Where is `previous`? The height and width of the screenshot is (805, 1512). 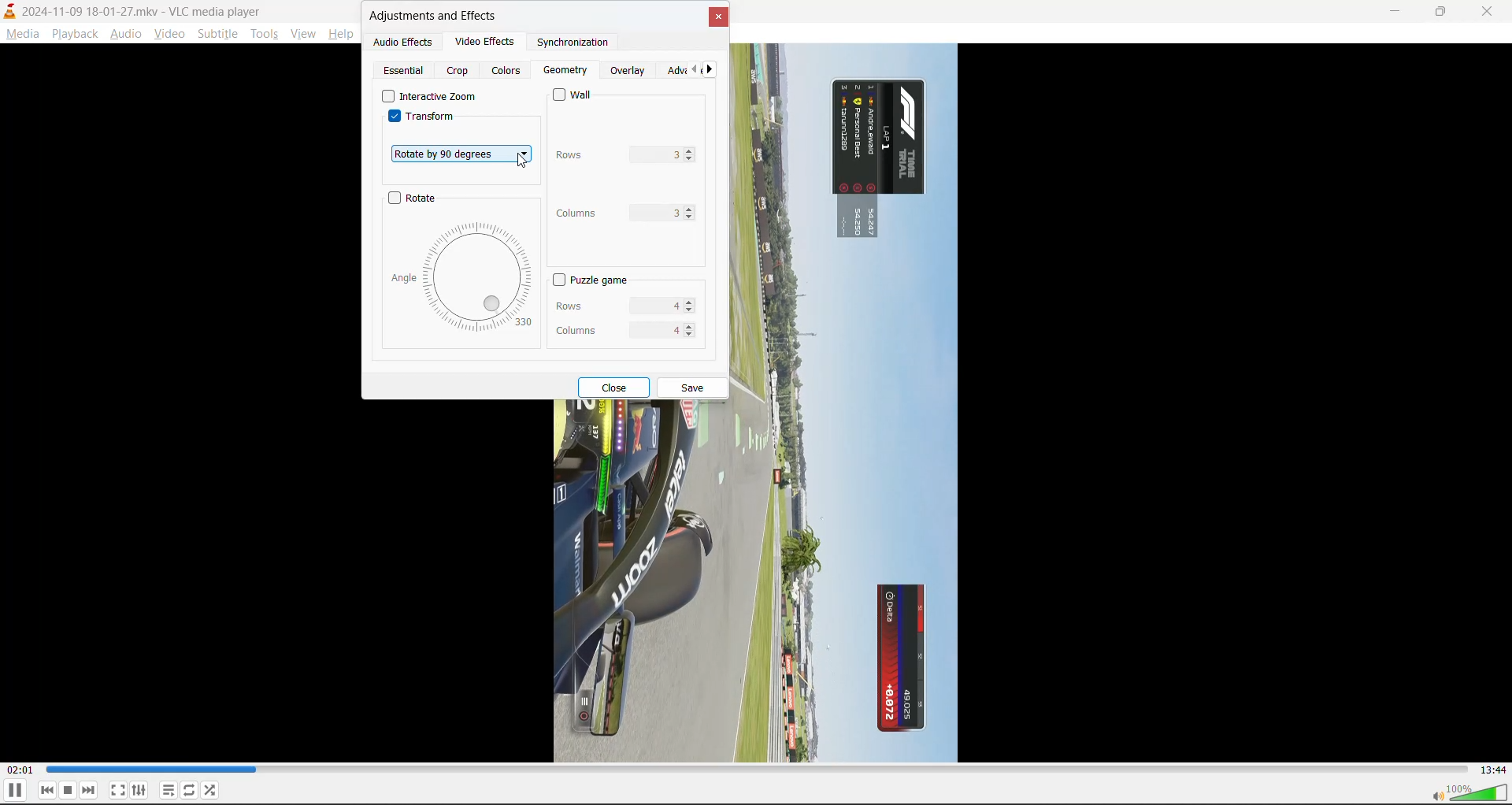
previous is located at coordinates (48, 790).